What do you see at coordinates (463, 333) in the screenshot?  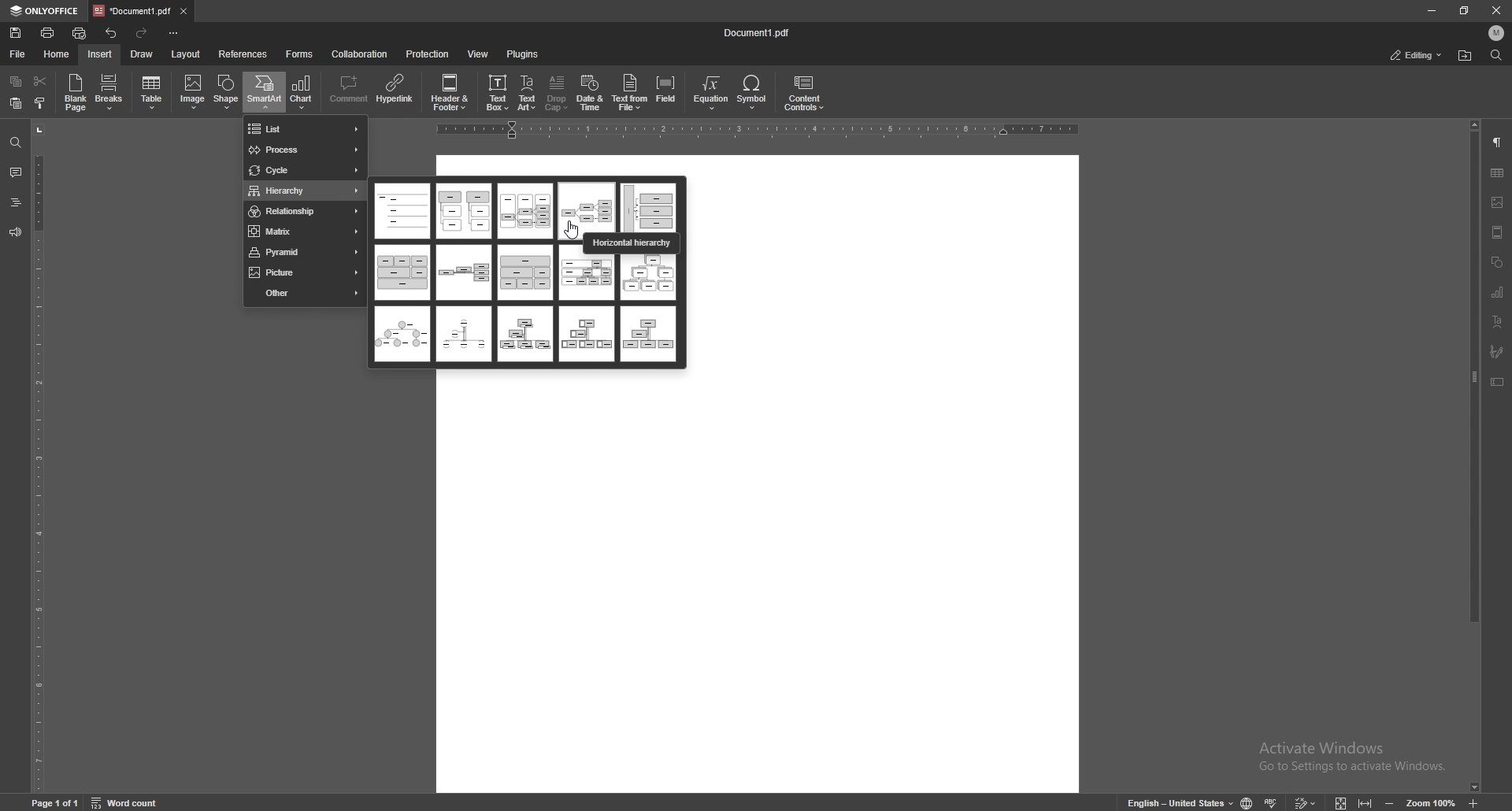 I see `hierarchy smart art` at bounding box center [463, 333].